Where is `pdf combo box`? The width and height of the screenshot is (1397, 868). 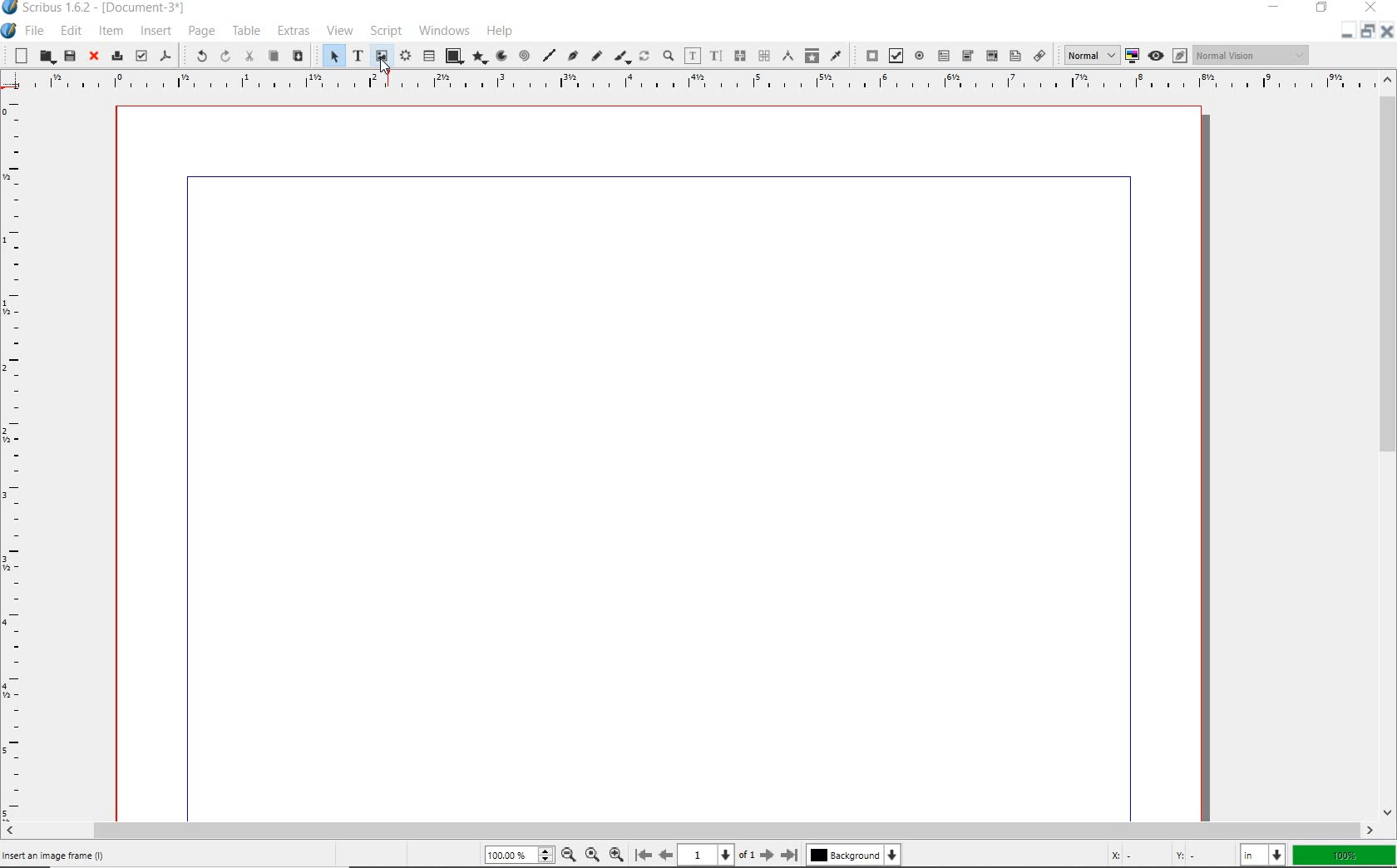
pdf combo box is located at coordinates (990, 56).